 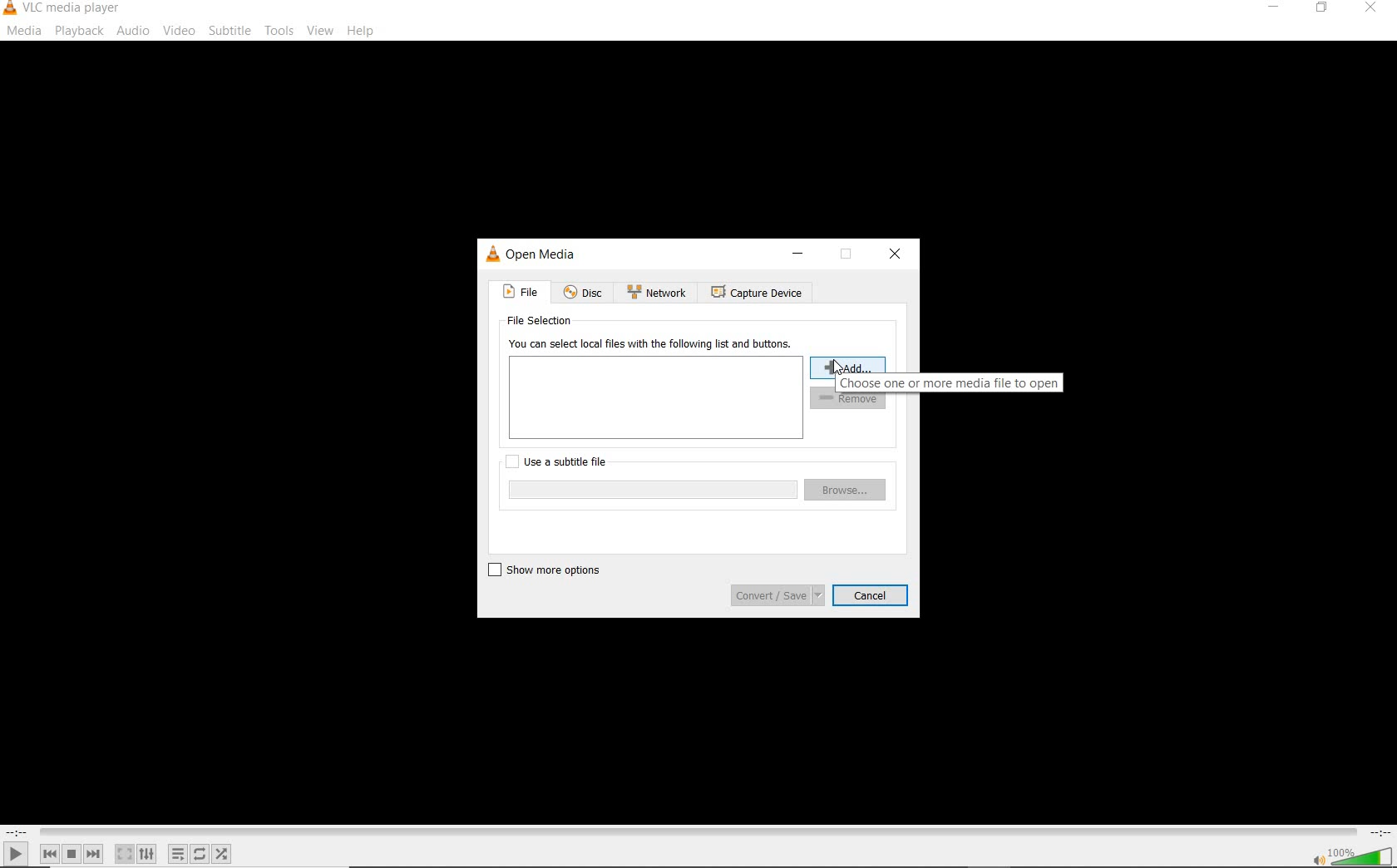 I want to click on close, so click(x=1369, y=11).